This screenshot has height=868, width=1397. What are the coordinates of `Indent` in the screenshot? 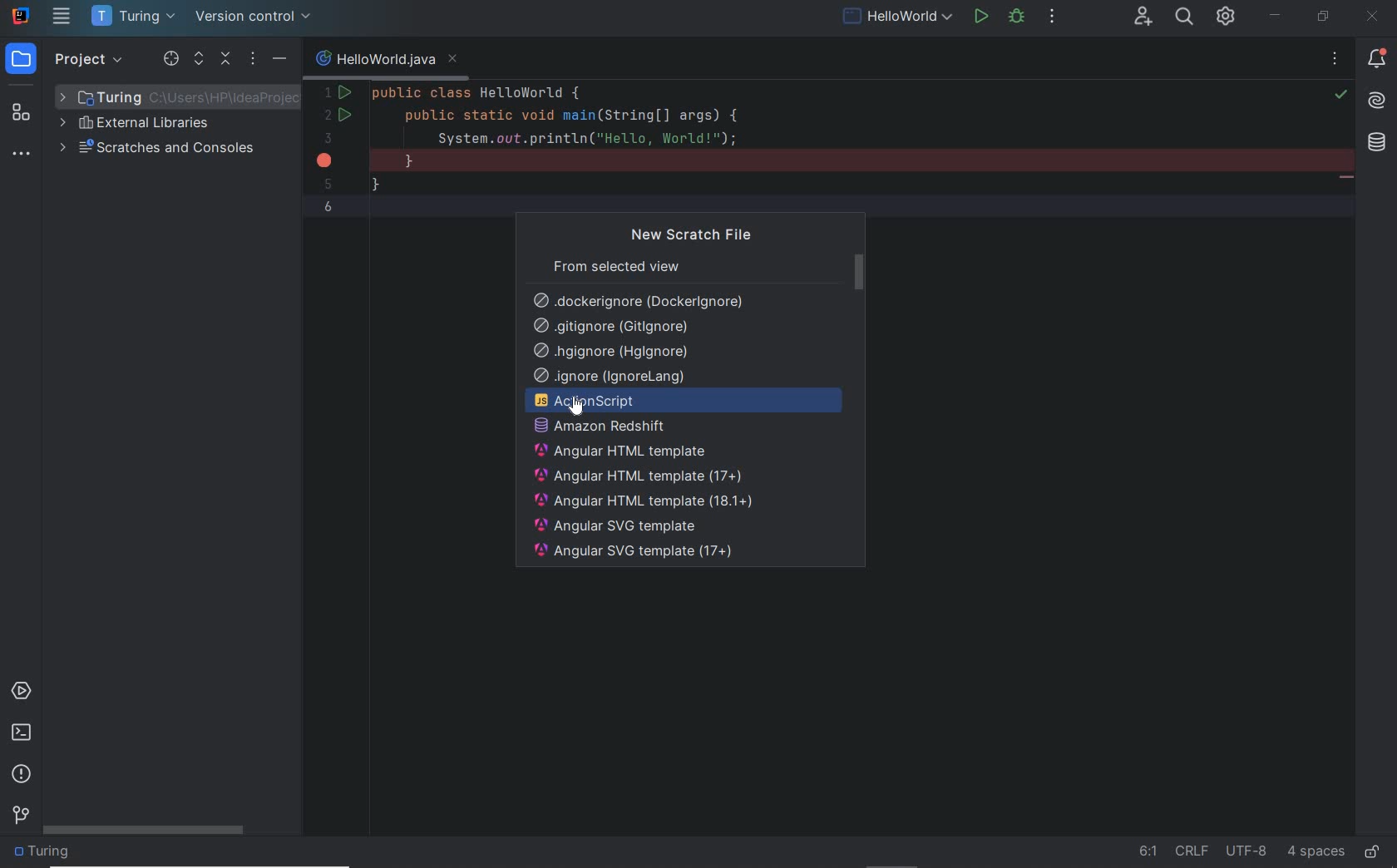 It's located at (1316, 853).